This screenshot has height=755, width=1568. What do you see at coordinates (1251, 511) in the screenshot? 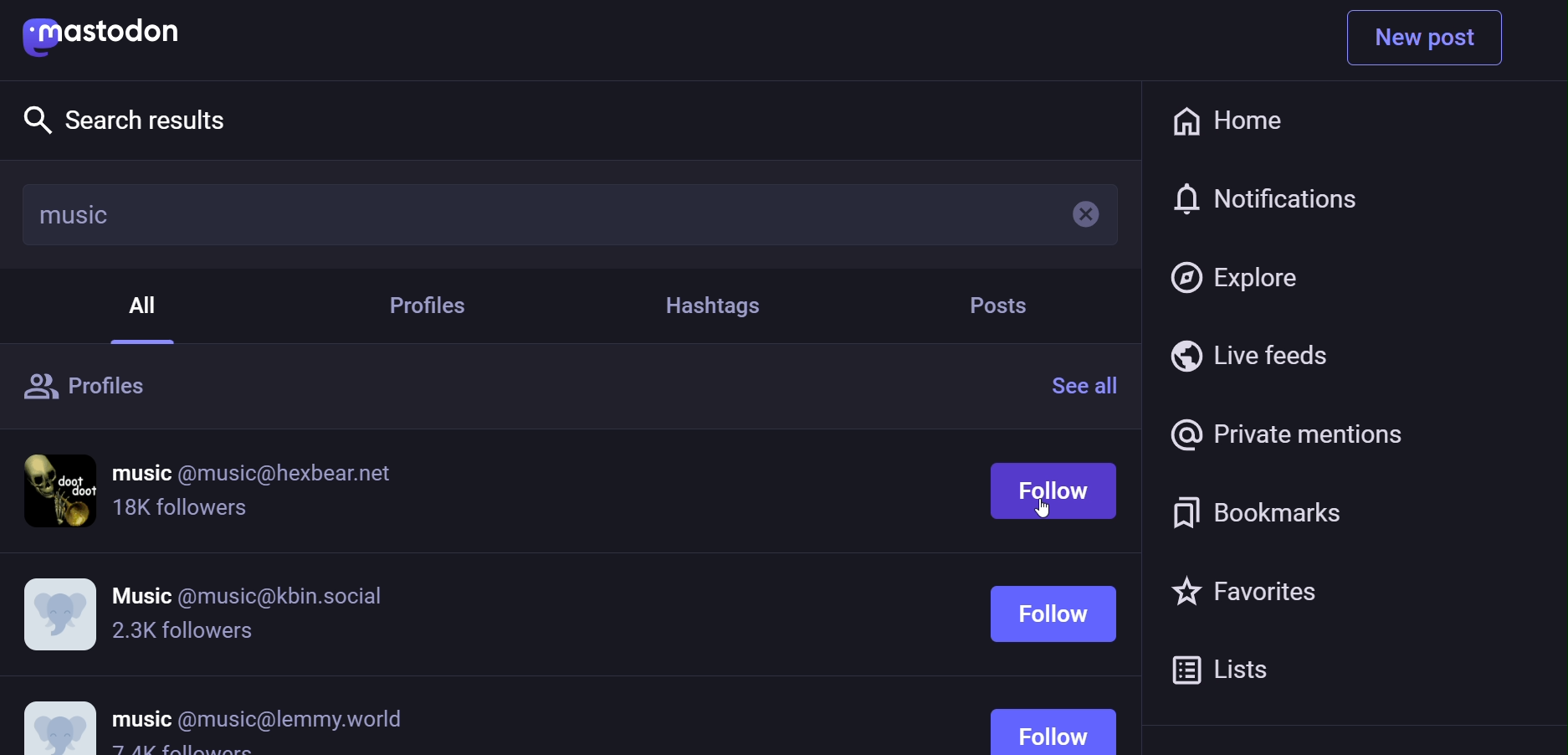
I see `bookmark` at bounding box center [1251, 511].